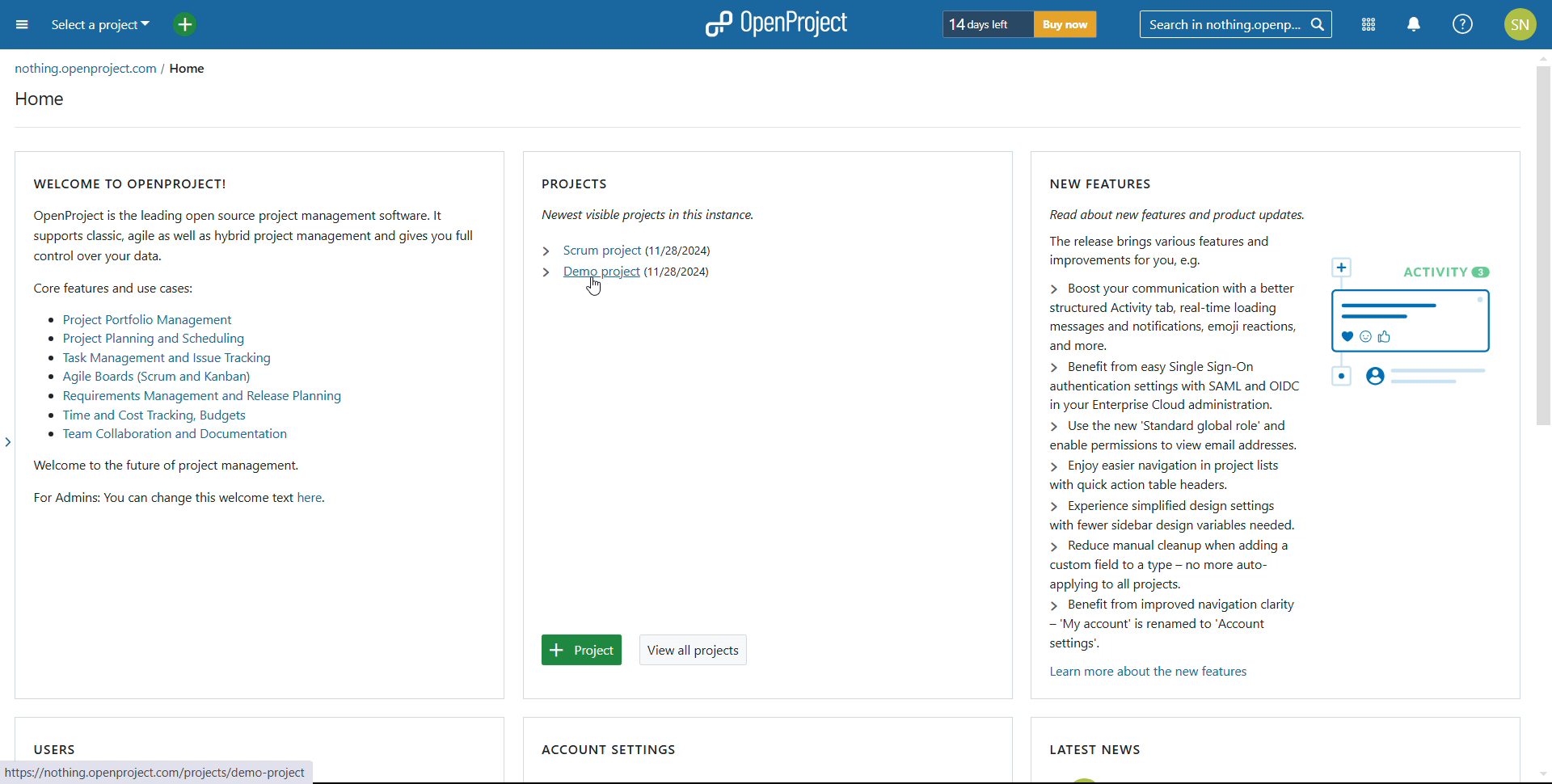 The height and width of the screenshot is (784, 1552). I want to click on scrum project, so click(602, 251).